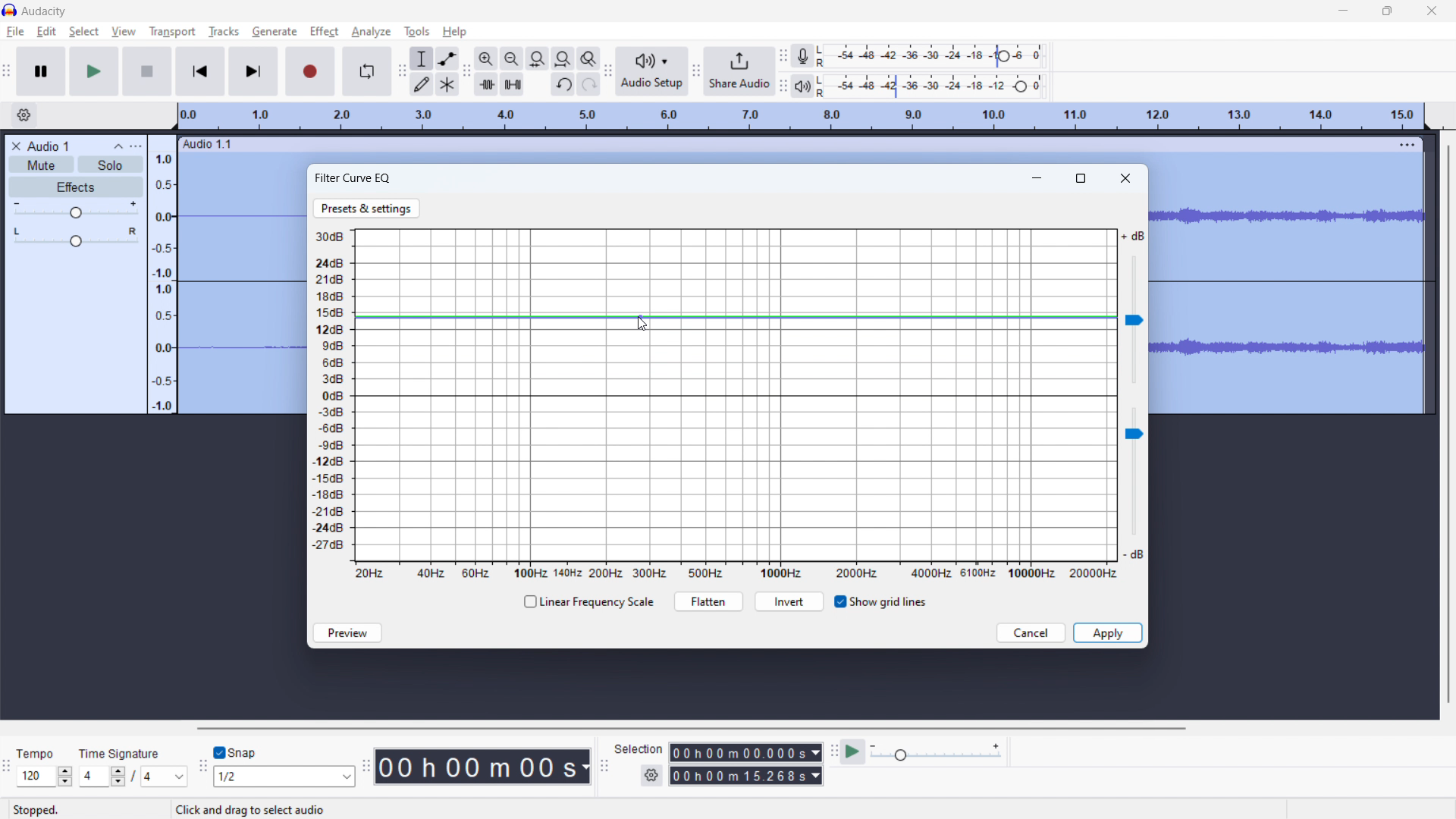 The width and height of the screenshot is (1456, 819). What do you see at coordinates (1432, 10) in the screenshot?
I see `close` at bounding box center [1432, 10].